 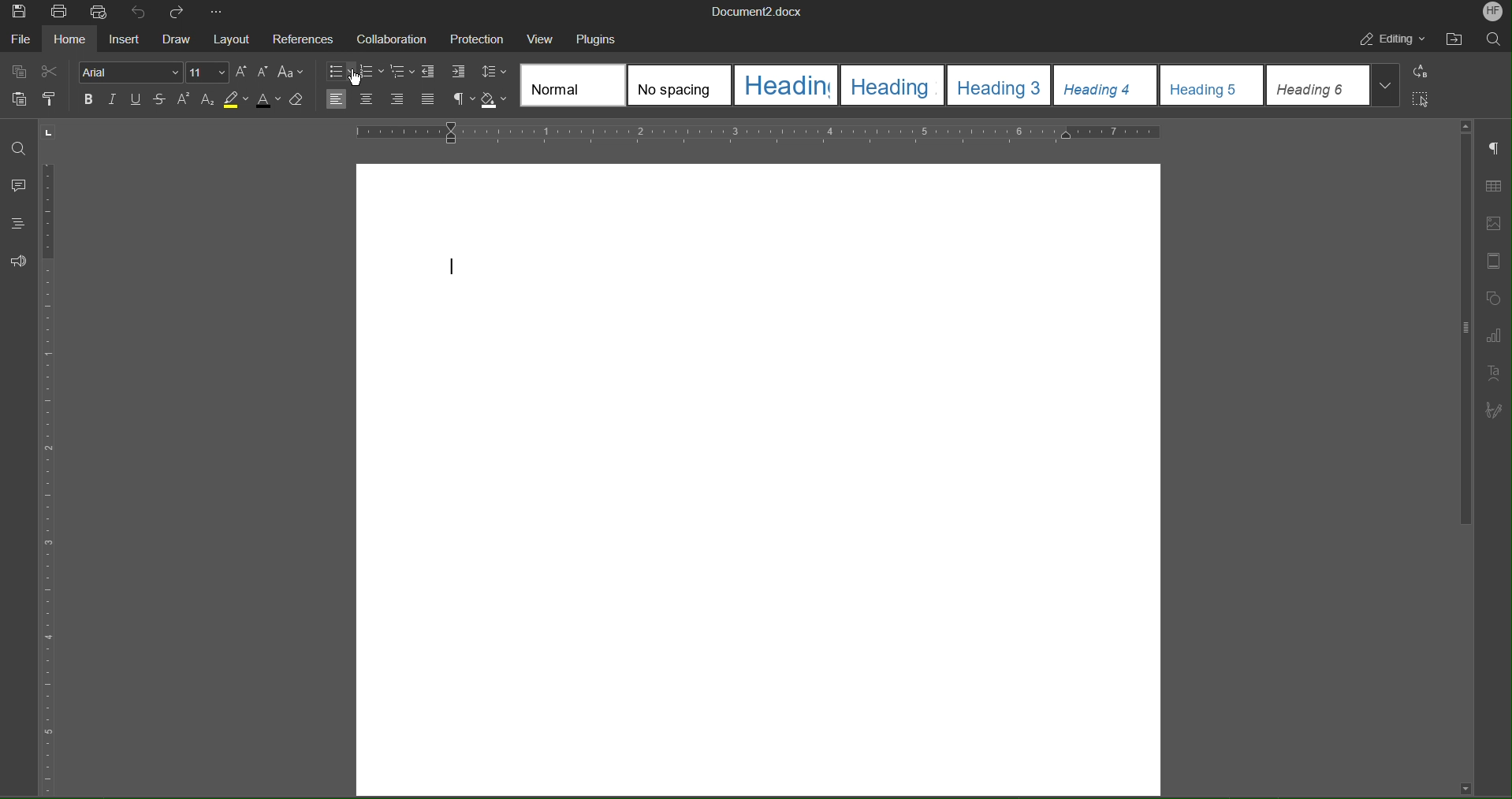 What do you see at coordinates (57, 465) in the screenshot?
I see `Vertical Ruler` at bounding box center [57, 465].